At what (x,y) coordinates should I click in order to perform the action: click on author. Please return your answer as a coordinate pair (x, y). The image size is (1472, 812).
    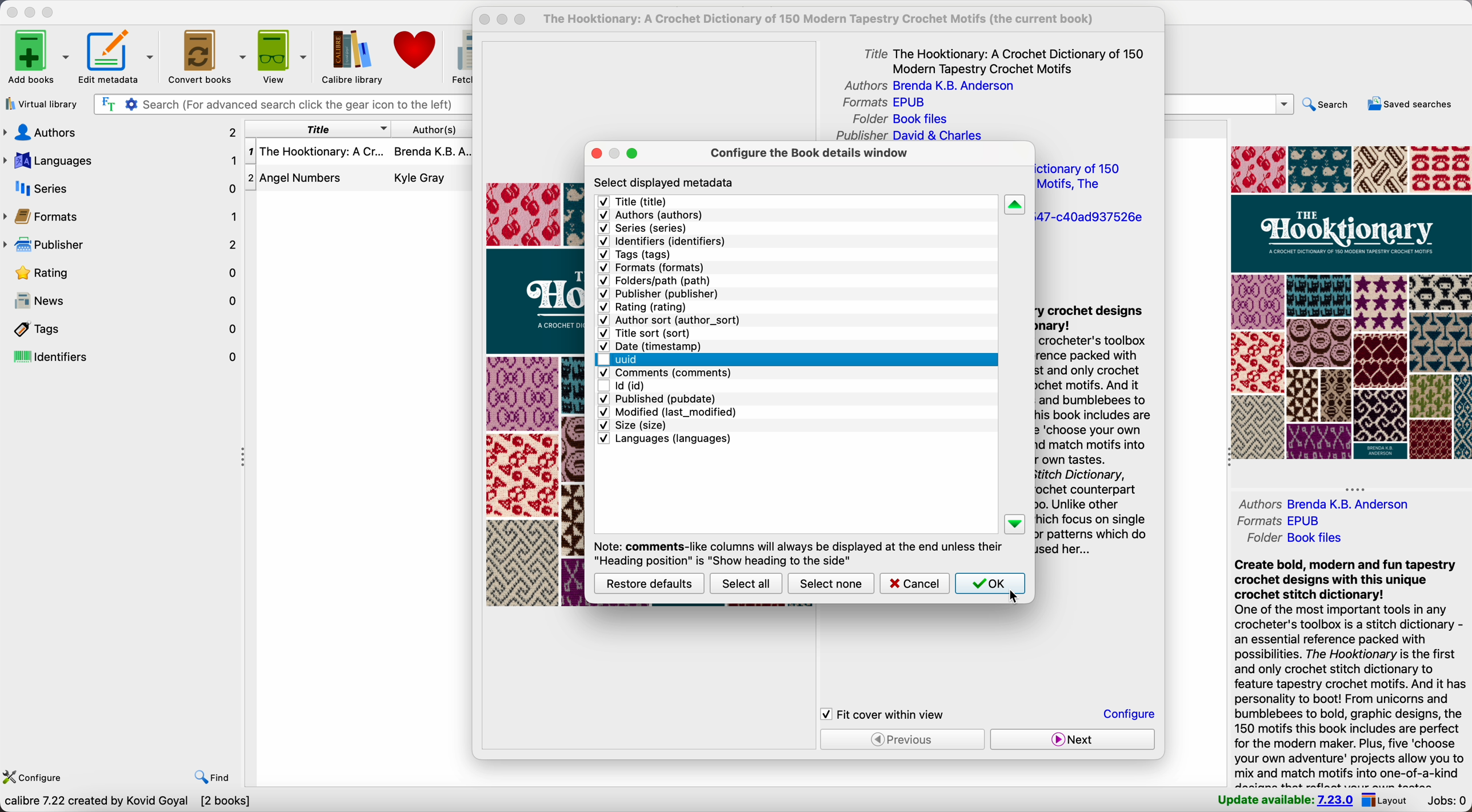
    Looking at the image, I should click on (1326, 503).